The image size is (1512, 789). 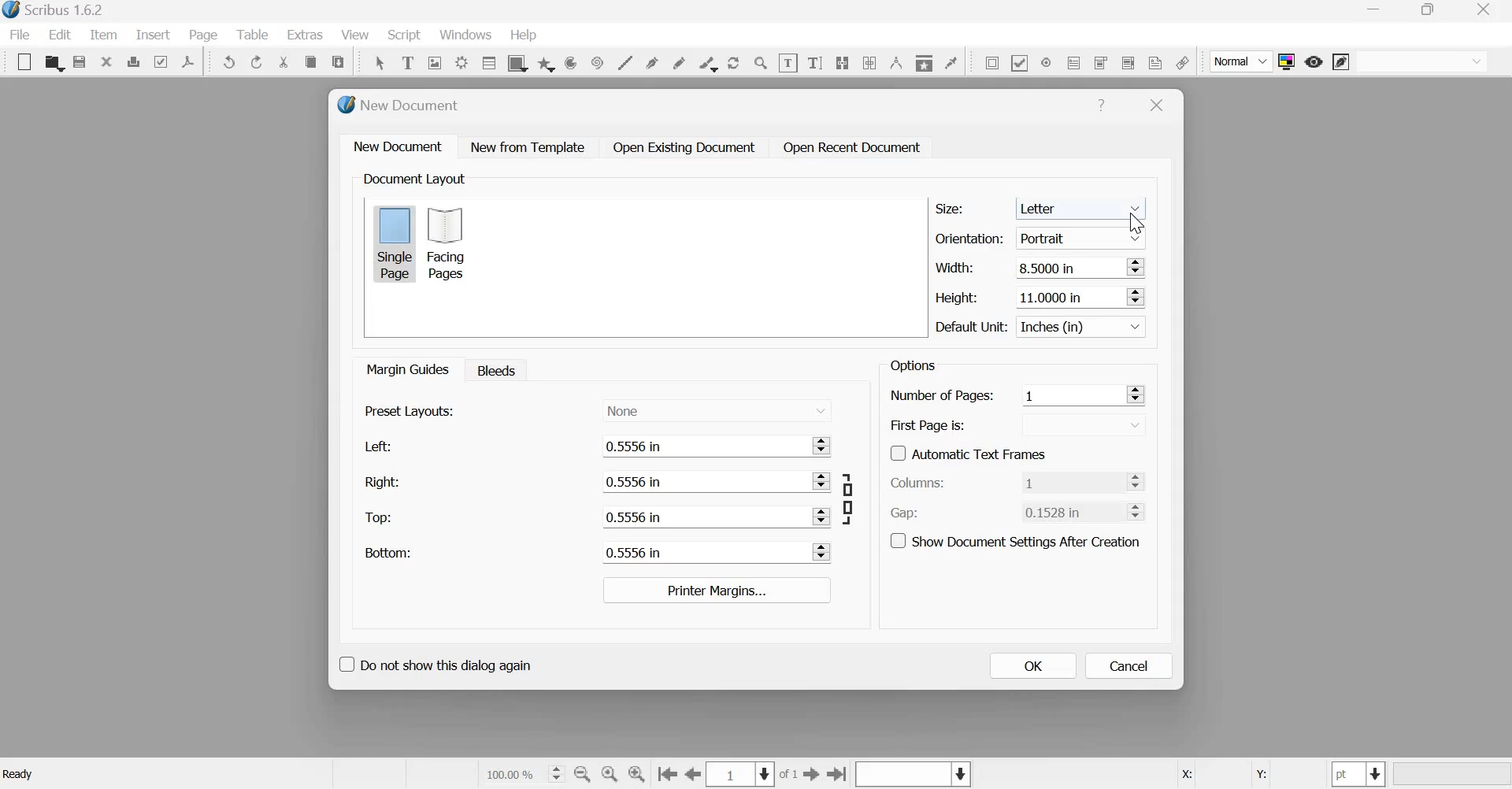 What do you see at coordinates (1140, 481) in the screenshot?
I see `Increase and Decrease` at bounding box center [1140, 481].